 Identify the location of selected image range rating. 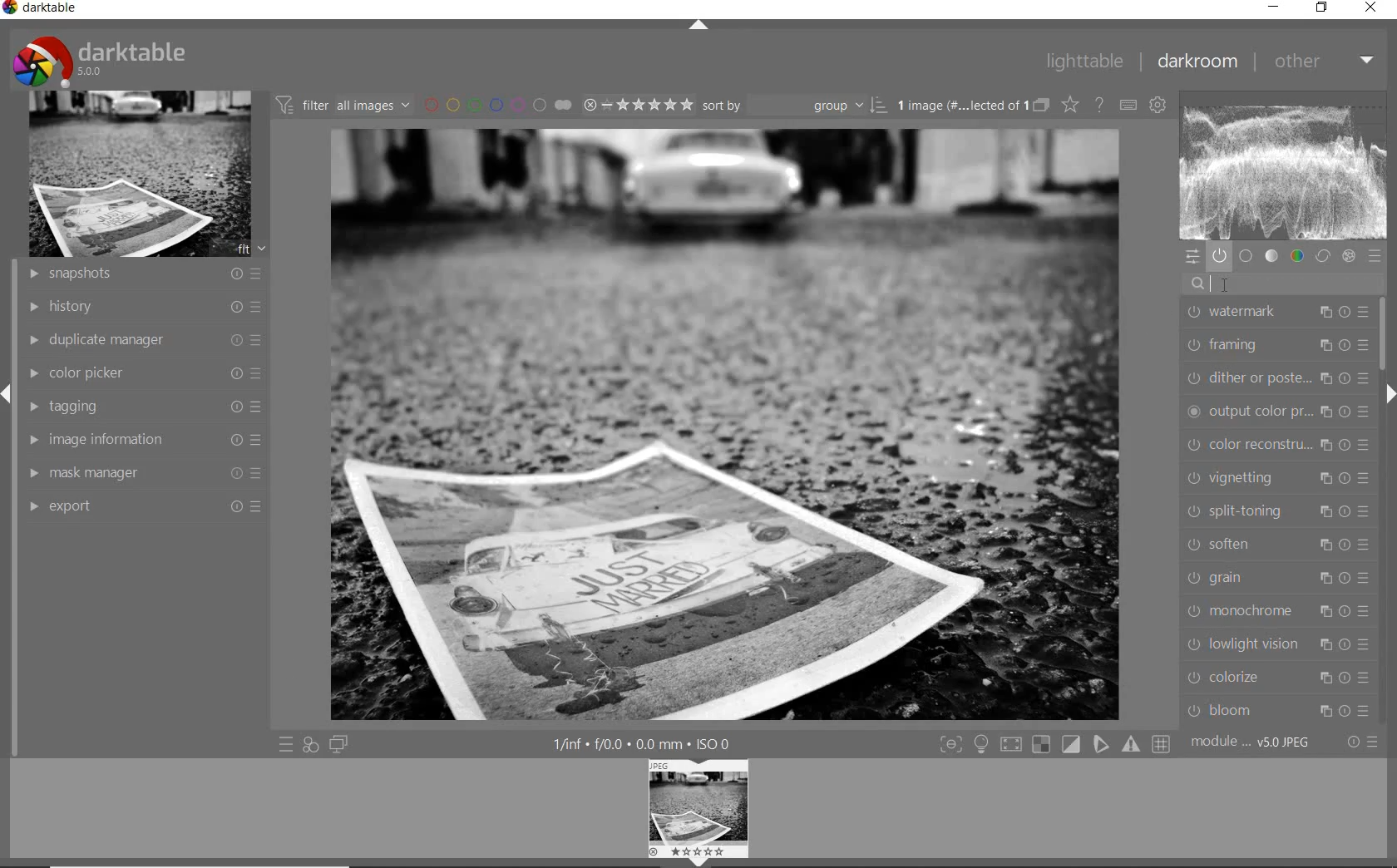
(635, 105).